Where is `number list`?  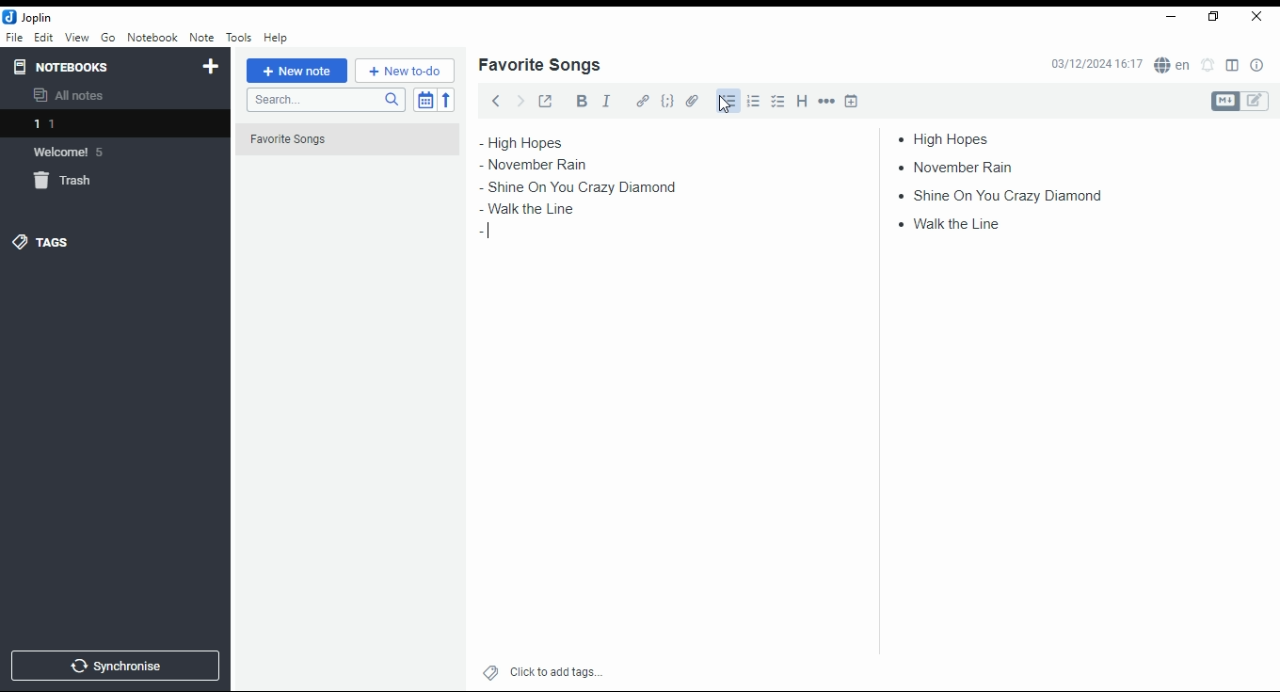
number list is located at coordinates (754, 100).